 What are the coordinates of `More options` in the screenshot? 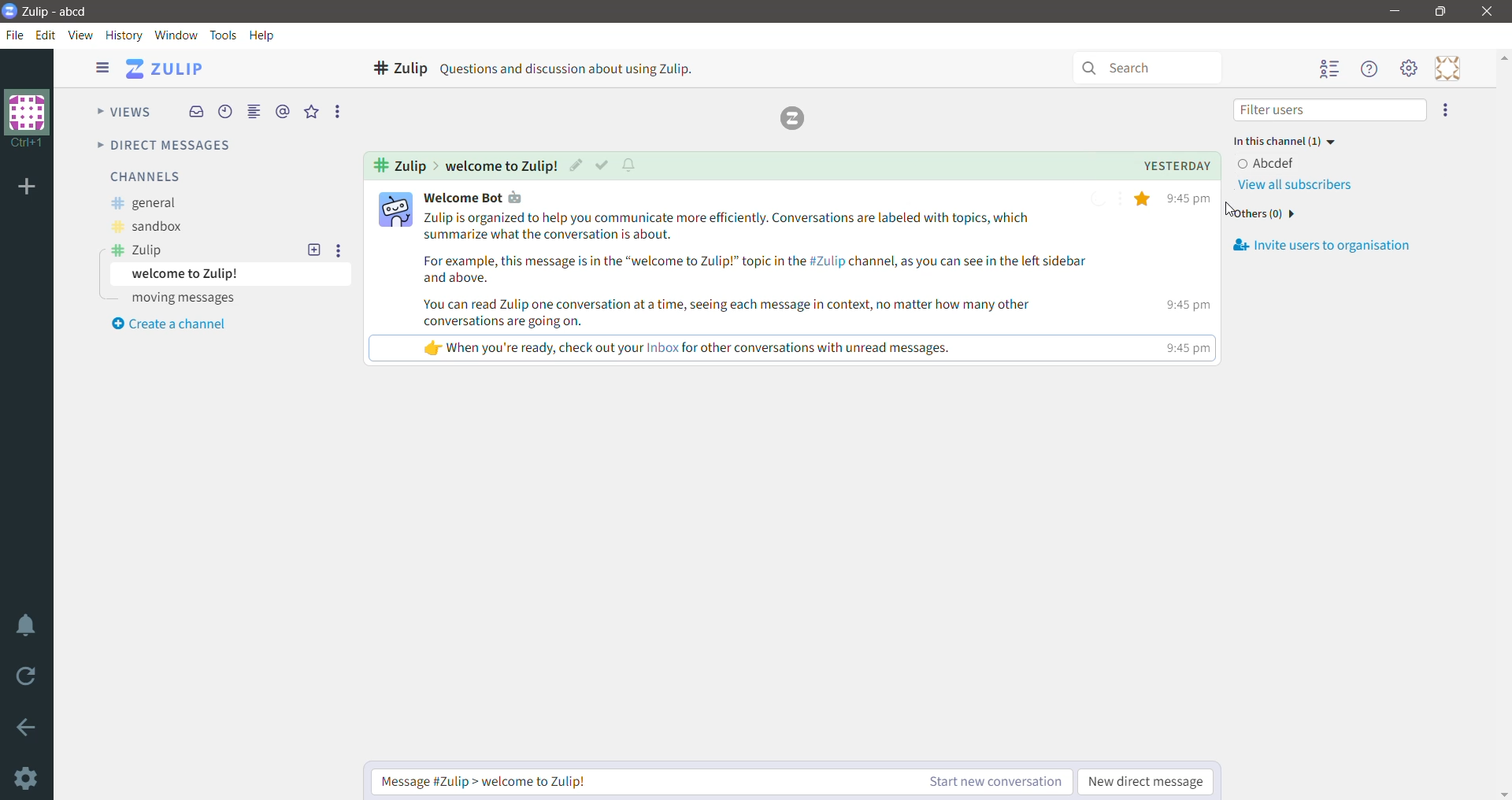 It's located at (343, 250).